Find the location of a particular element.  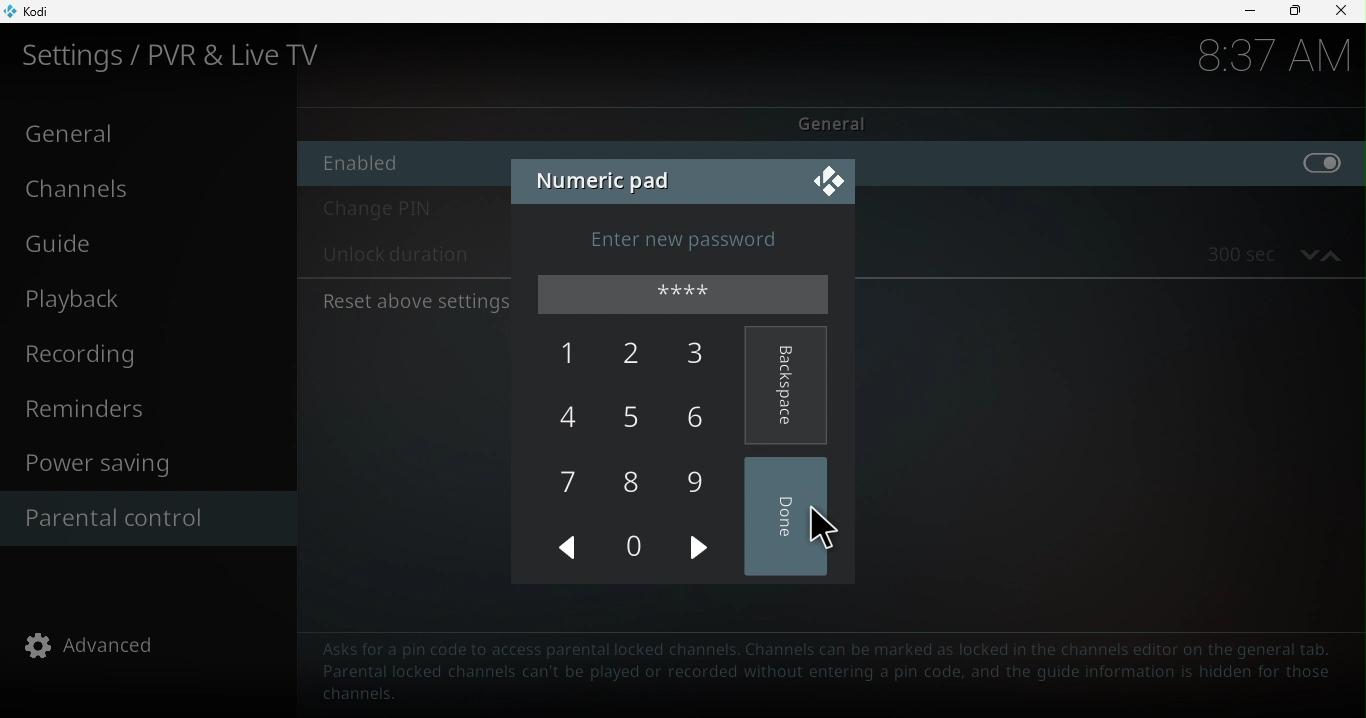

time is located at coordinates (1257, 60).